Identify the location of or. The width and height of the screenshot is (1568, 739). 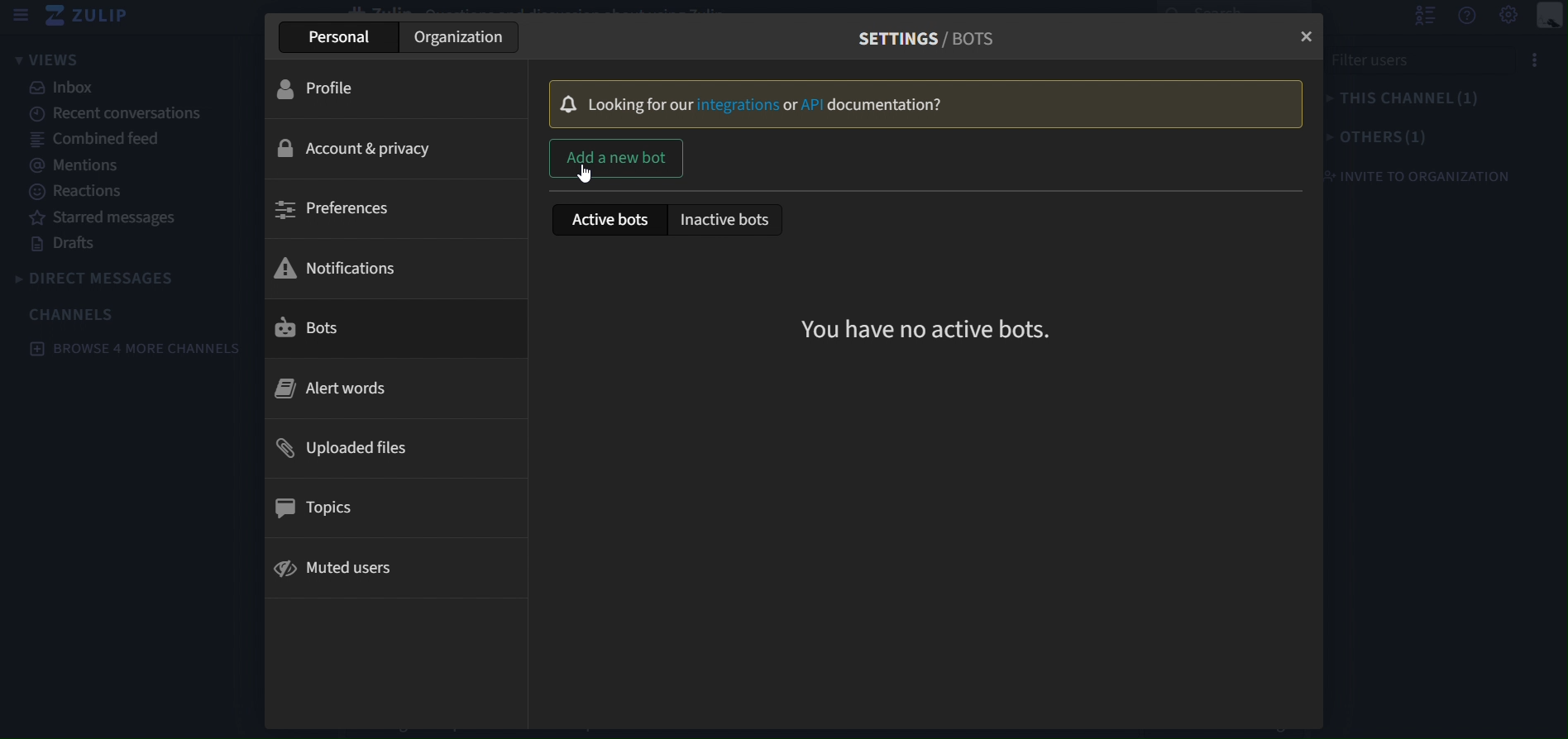
(790, 104).